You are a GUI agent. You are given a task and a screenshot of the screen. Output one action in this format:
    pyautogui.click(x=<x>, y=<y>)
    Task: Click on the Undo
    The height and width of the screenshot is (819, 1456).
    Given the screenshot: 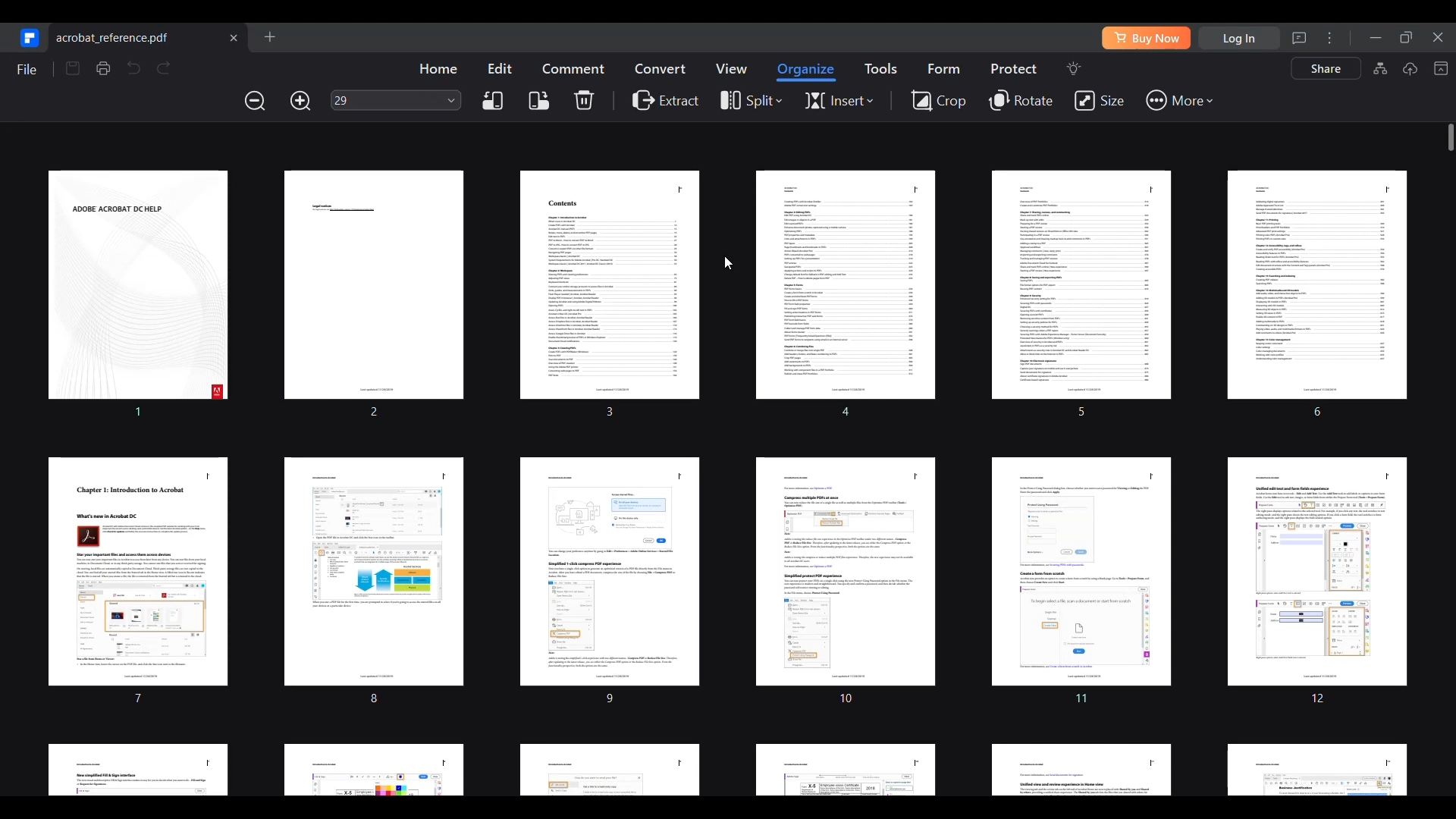 What is the action you would take?
    pyautogui.click(x=133, y=67)
    